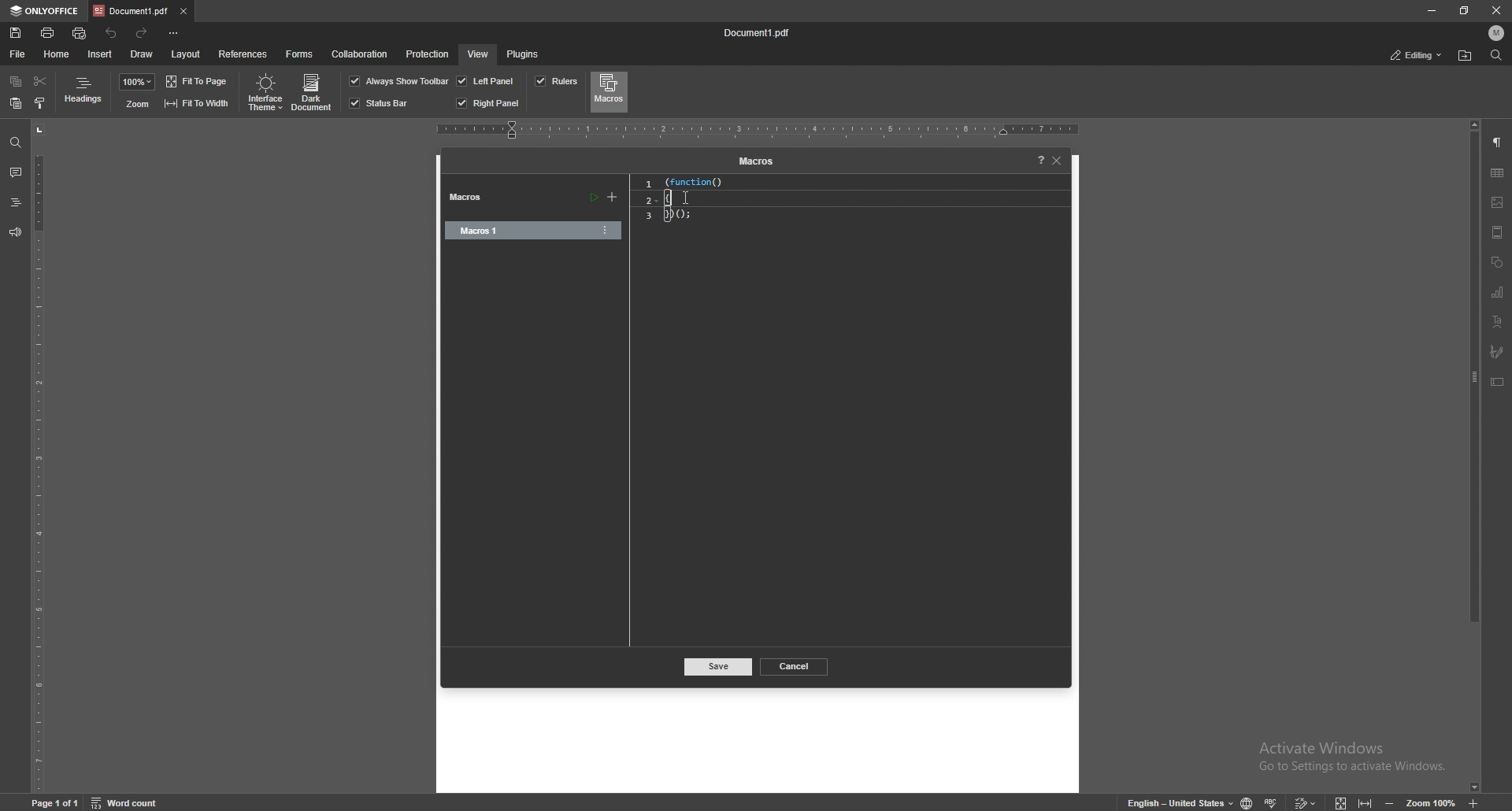 The image size is (1512, 811). Describe the element at coordinates (39, 81) in the screenshot. I see `cut` at that location.